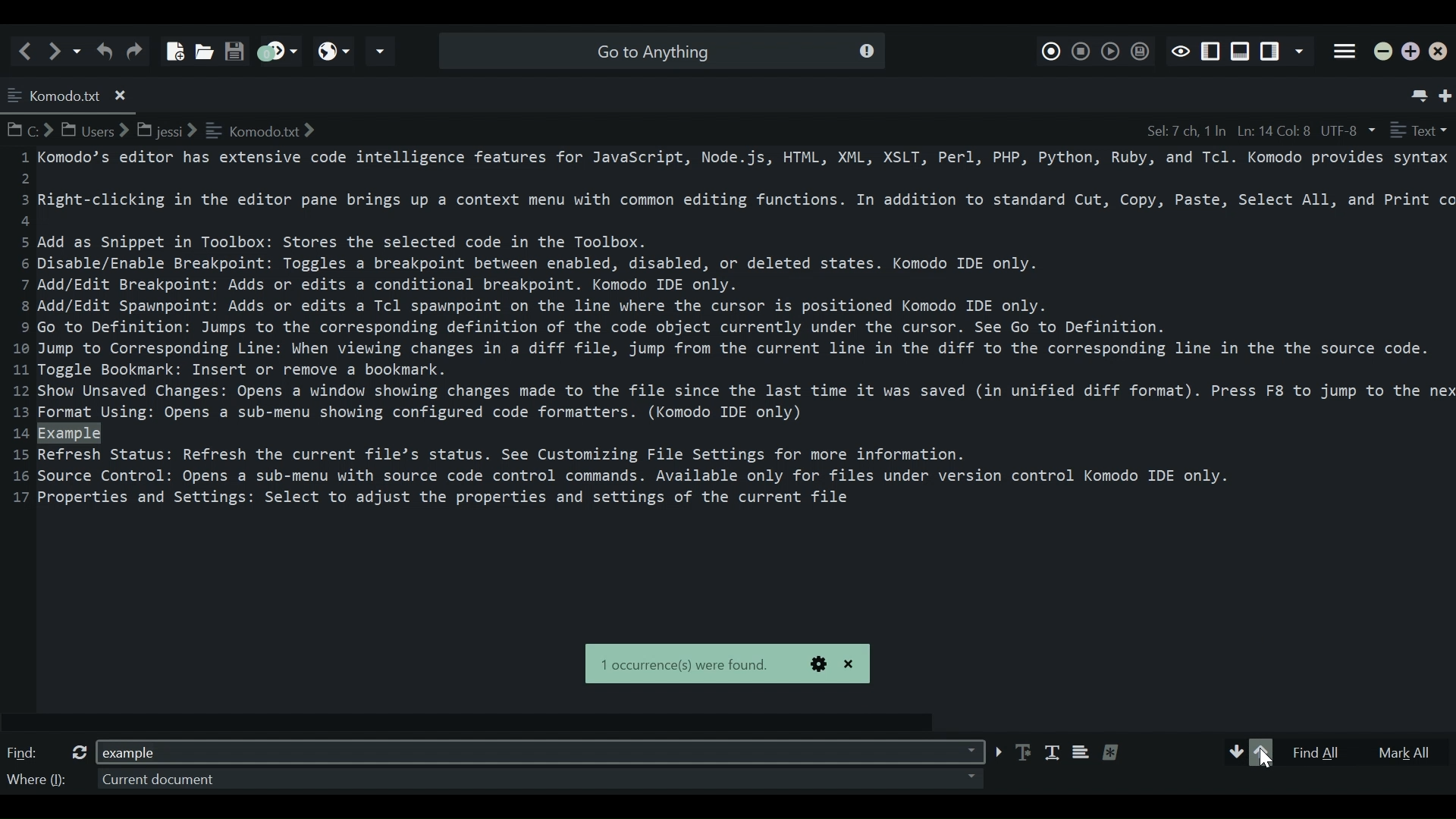 The width and height of the screenshot is (1456, 819). Describe the element at coordinates (1302, 52) in the screenshot. I see `Show specific Sidebar ` at that location.